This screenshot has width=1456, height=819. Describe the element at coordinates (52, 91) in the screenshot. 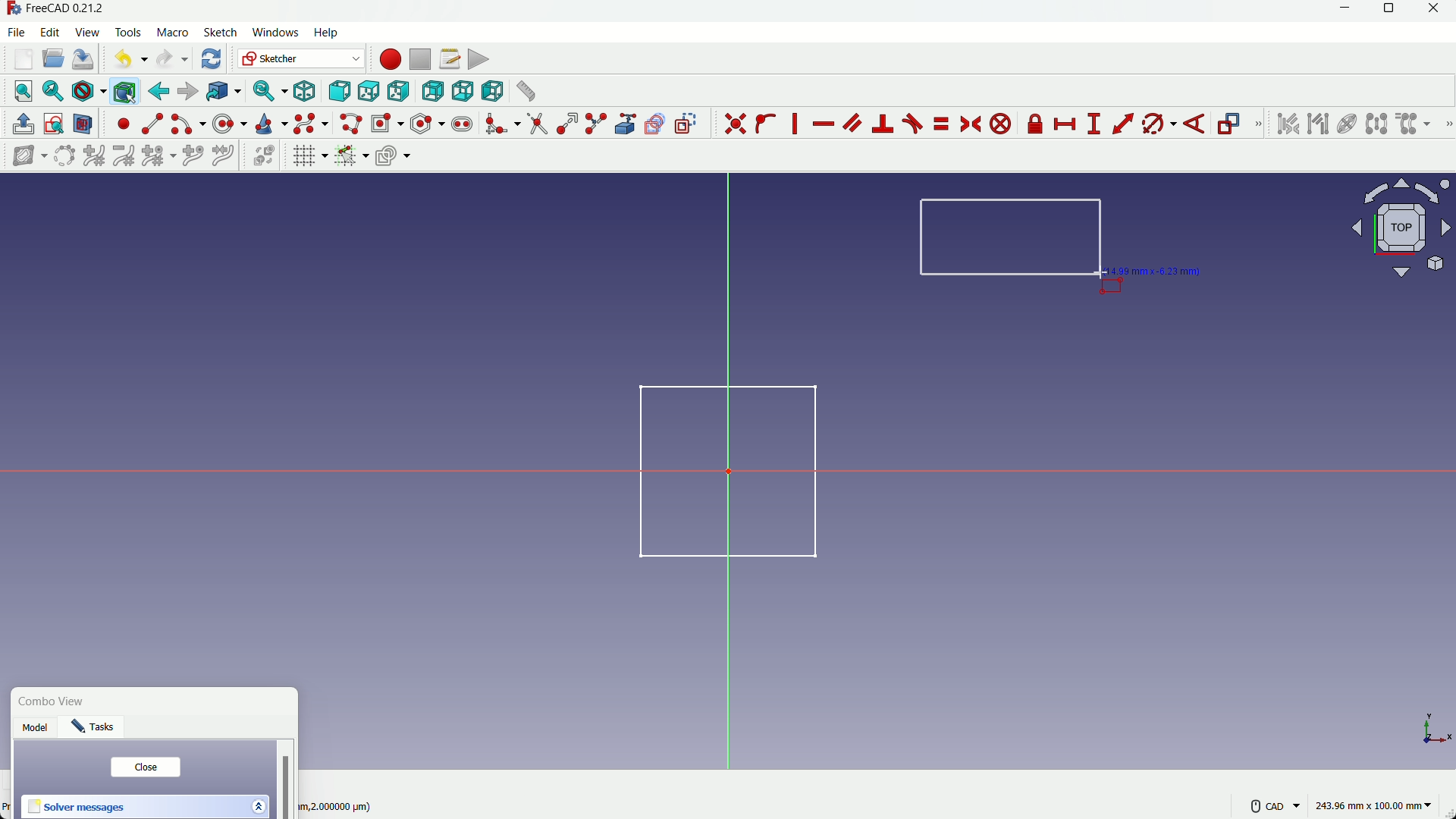

I see `select fit` at that location.